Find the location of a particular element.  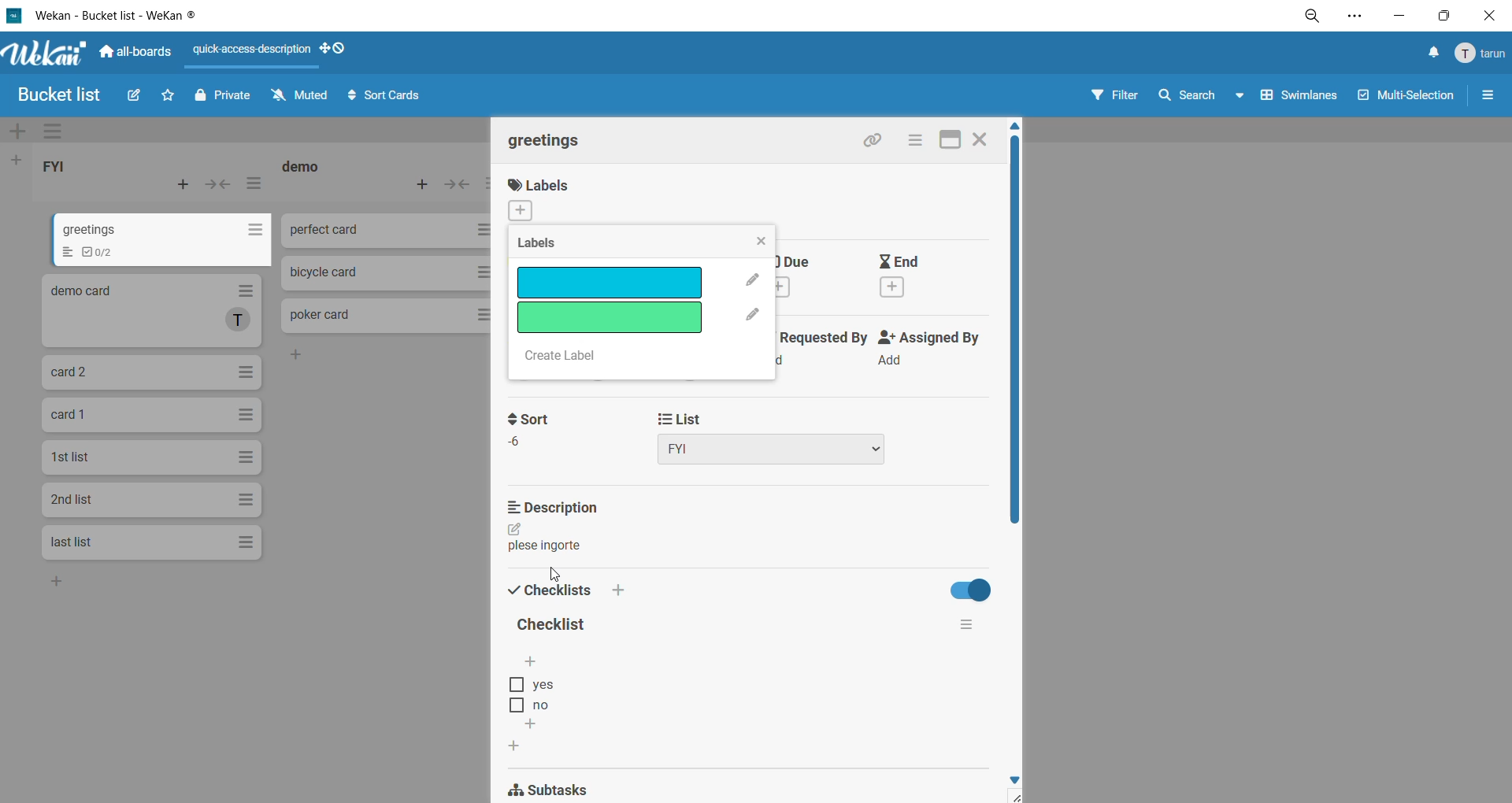

swimlanes is located at coordinates (1292, 98).